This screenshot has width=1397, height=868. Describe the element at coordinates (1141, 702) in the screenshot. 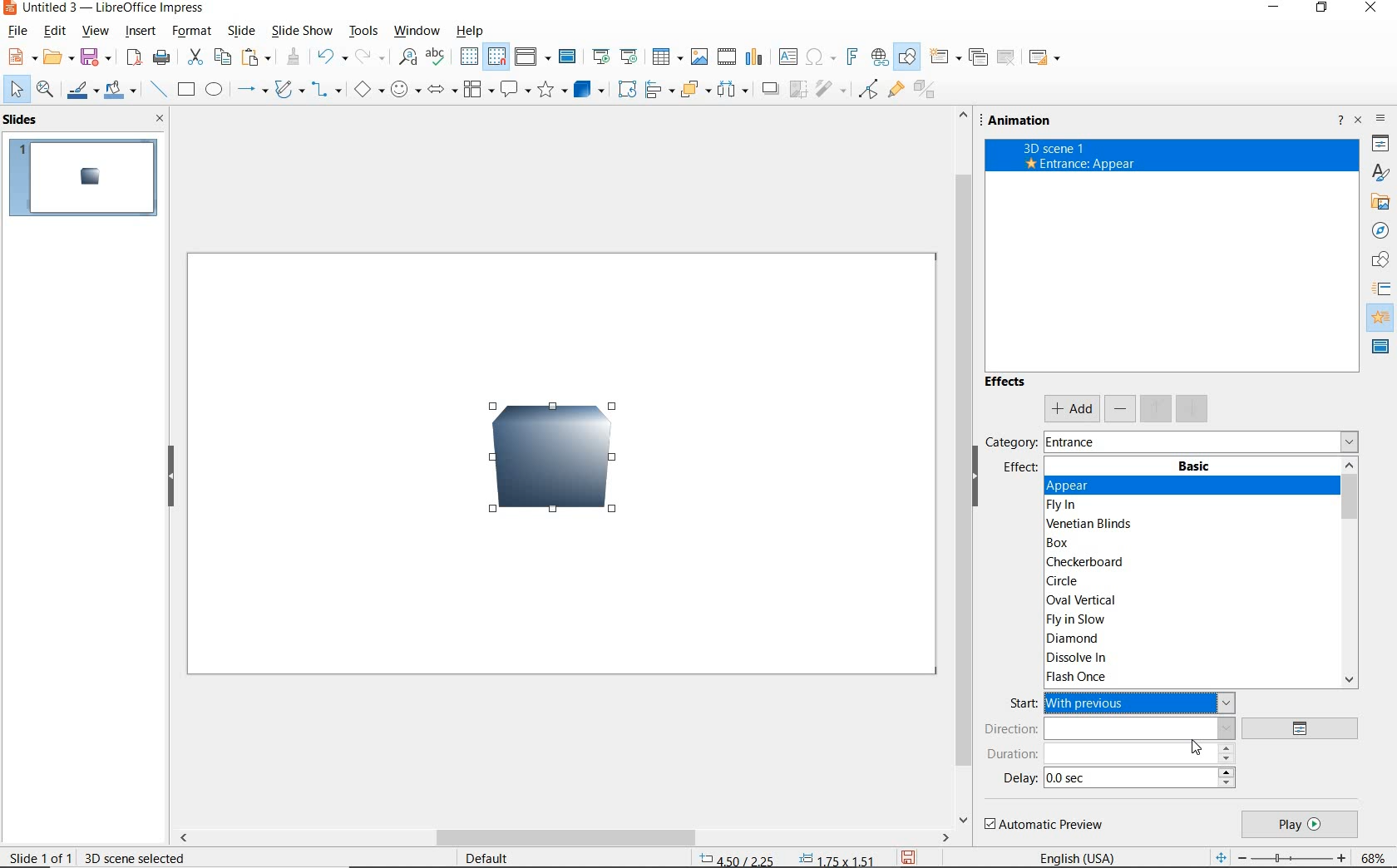

I see `WITH PREVIOUS` at that location.